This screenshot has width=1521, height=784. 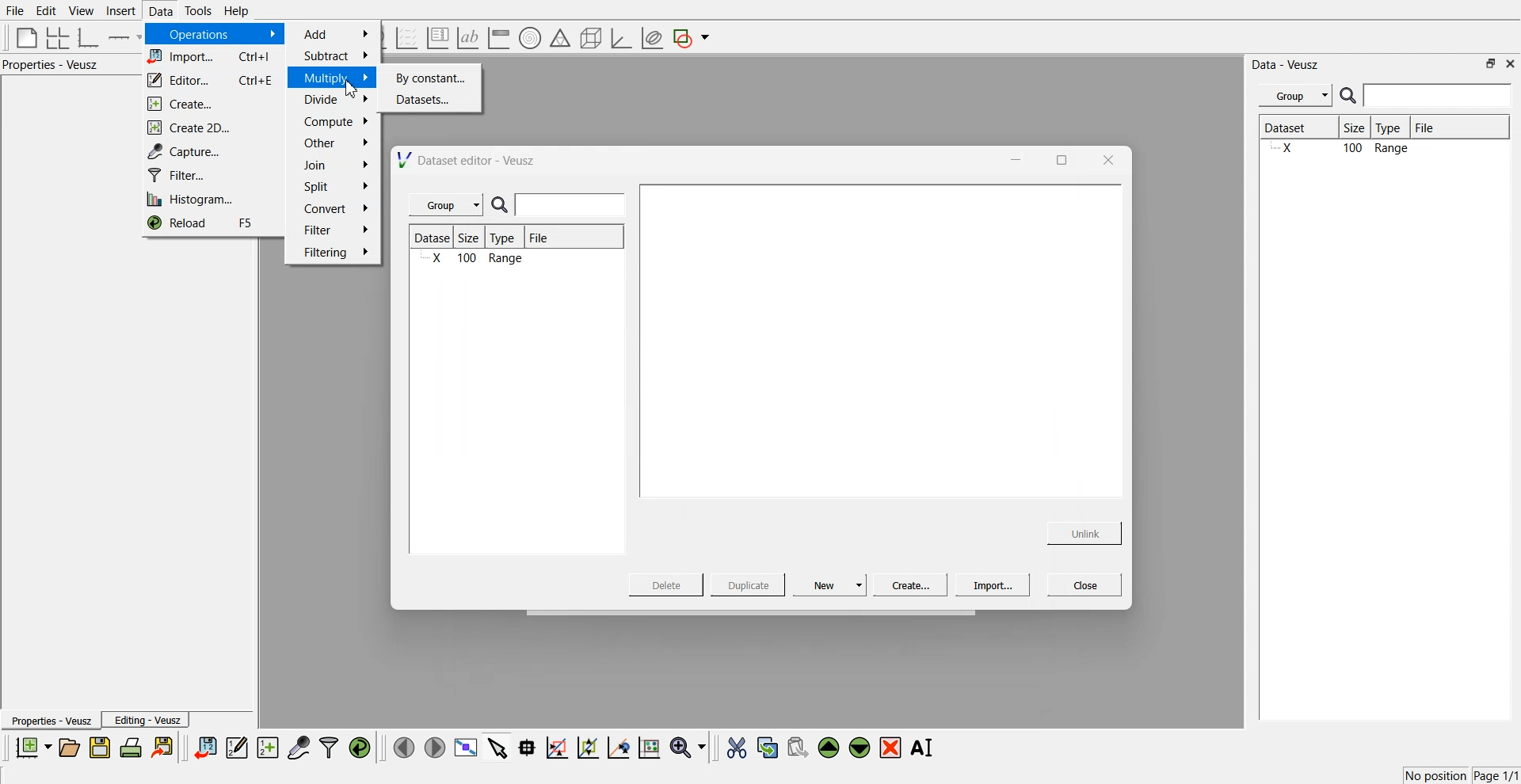 I want to click on Create..., so click(x=908, y=584).